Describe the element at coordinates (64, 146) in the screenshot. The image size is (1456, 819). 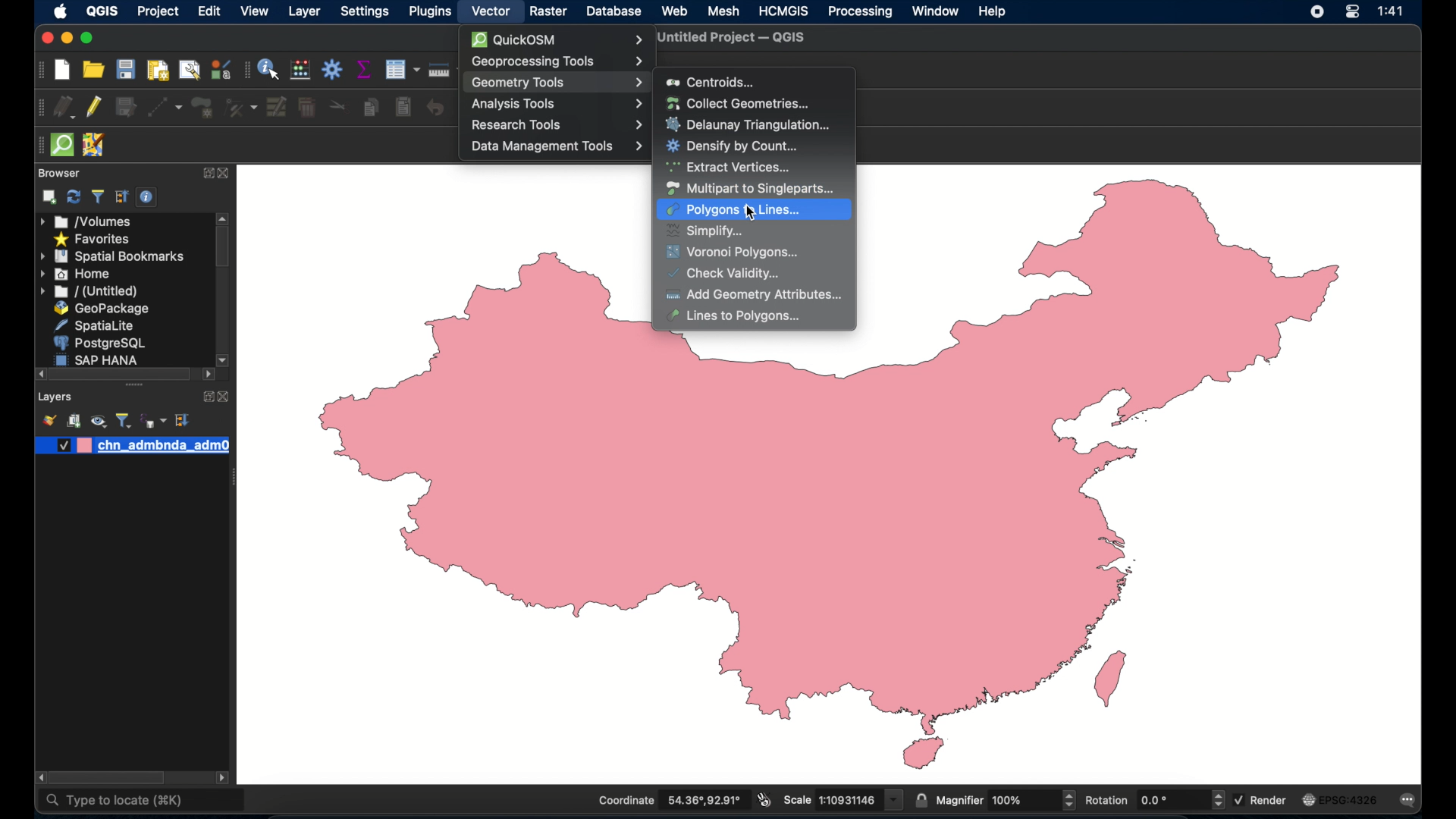
I see `quick osm` at that location.